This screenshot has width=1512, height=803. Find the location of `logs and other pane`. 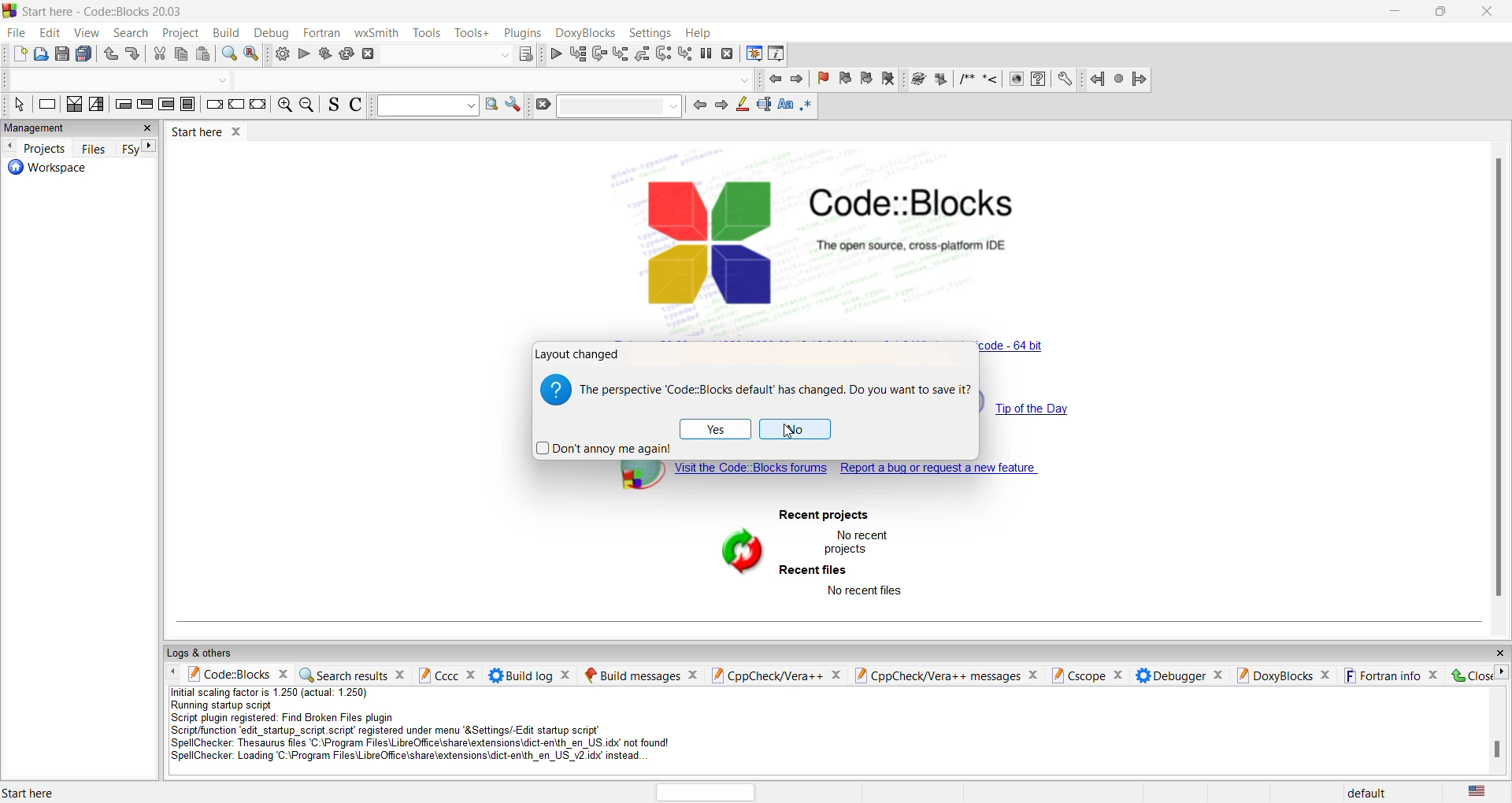

logs and other pane is located at coordinates (835, 650).